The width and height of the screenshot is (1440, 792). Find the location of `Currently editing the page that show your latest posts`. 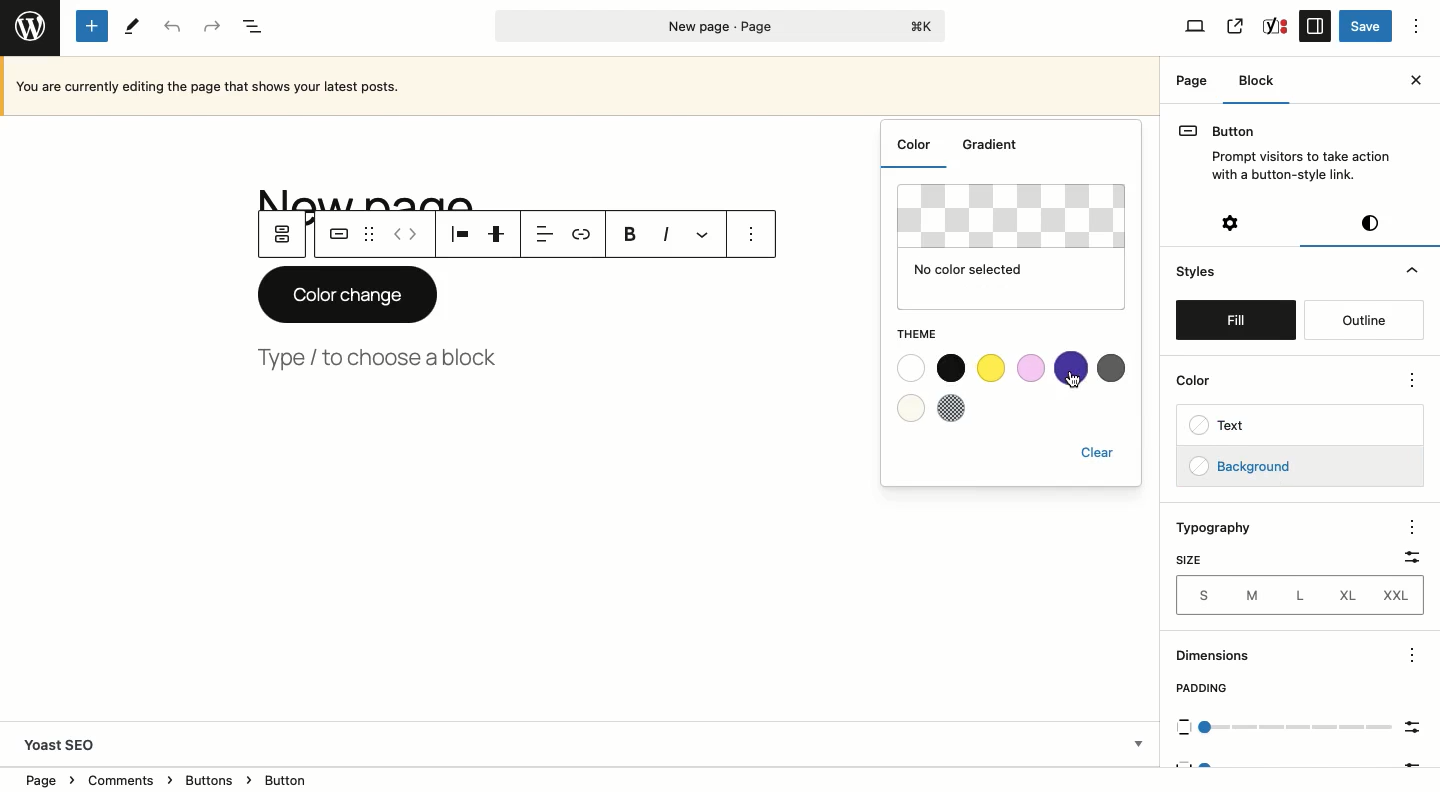

Currently editing the page that show your latest posts is located at coordinates (584, 86).